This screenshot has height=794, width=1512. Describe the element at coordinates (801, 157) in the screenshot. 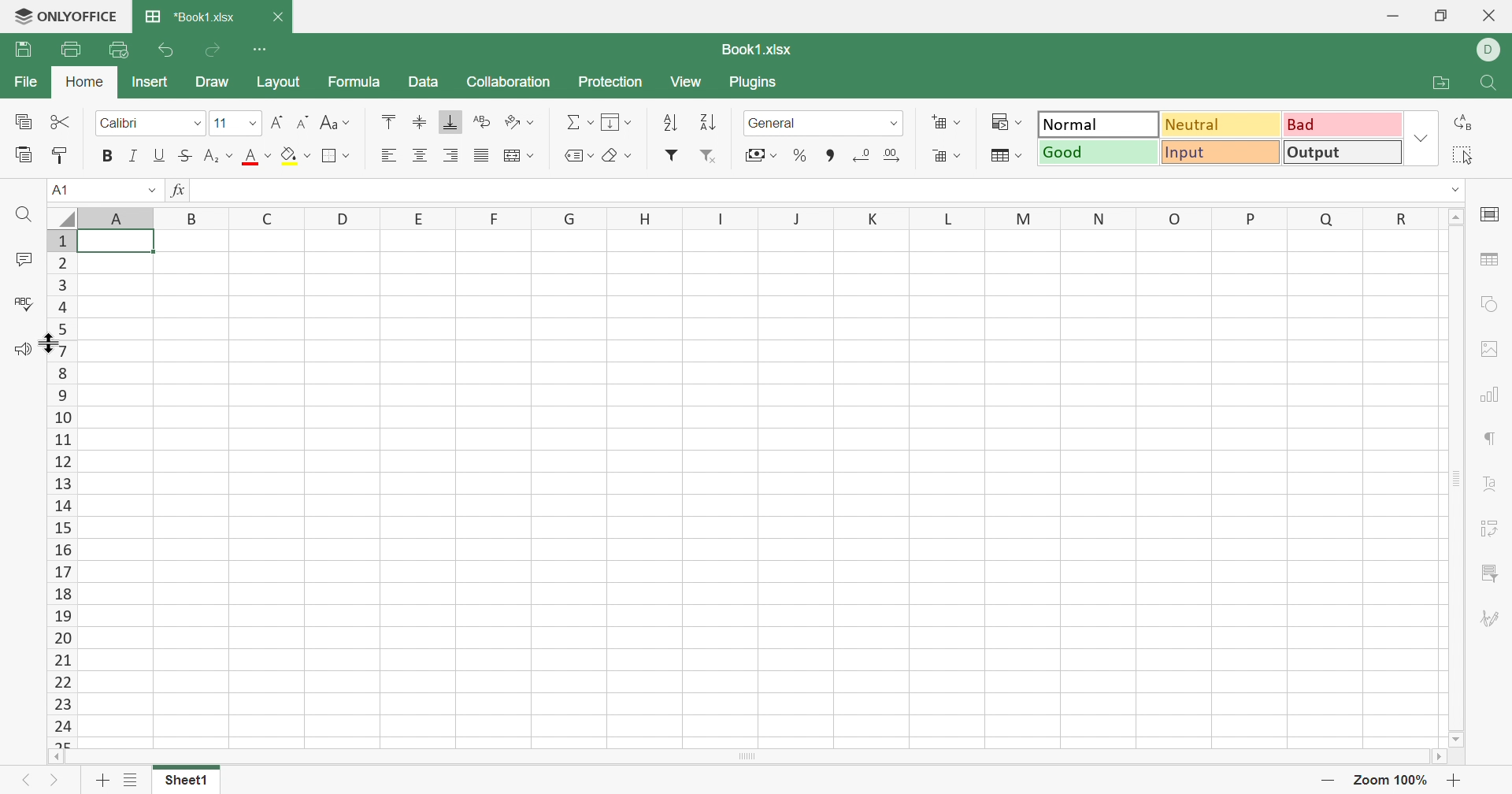

I see `Percentage style` at that location.